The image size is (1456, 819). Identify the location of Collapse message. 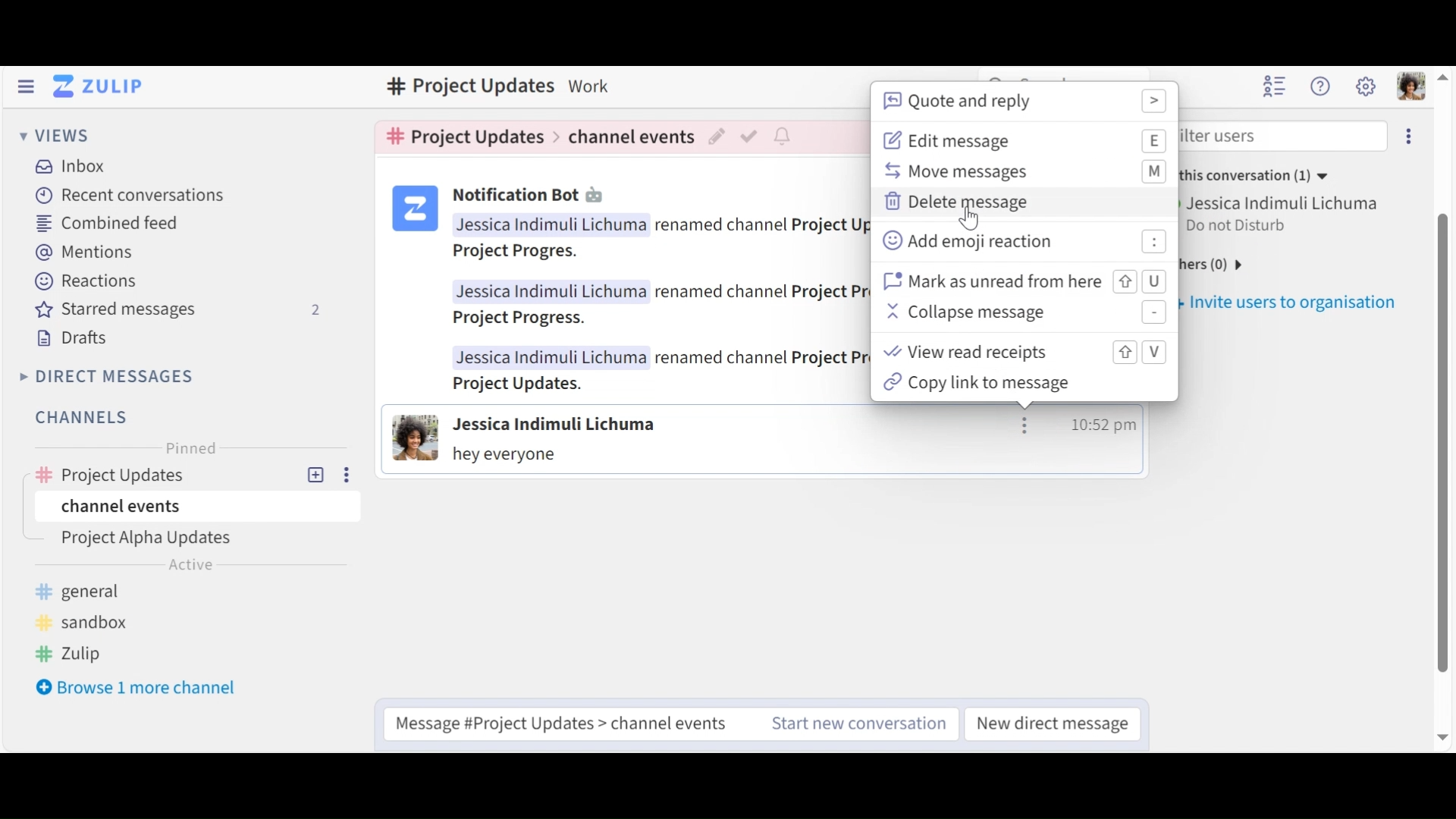
(1021, 313).